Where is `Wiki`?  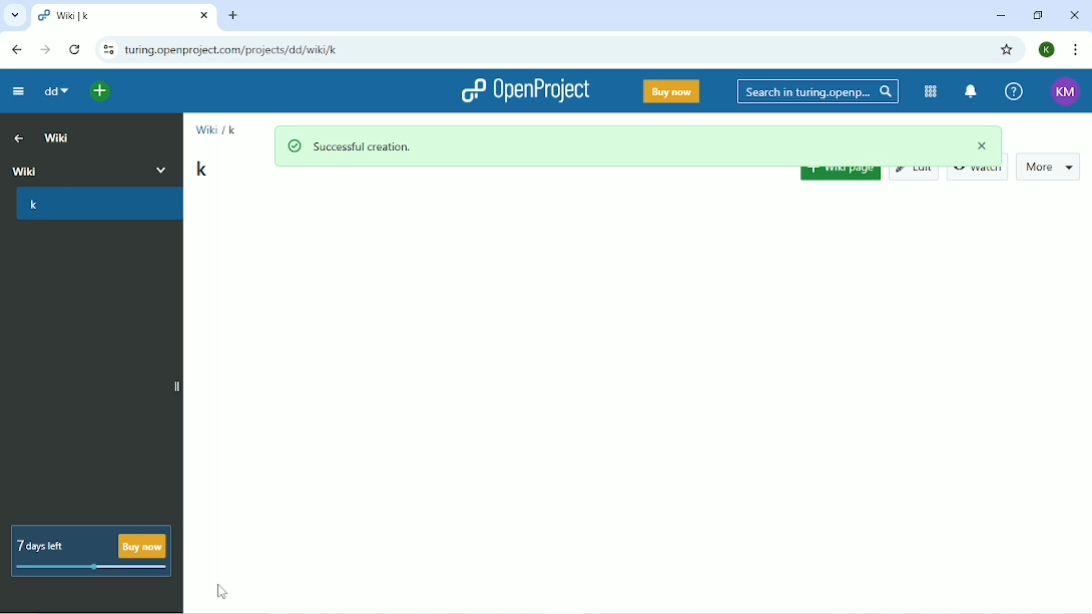
Wiki is located at coordinates (57, 135).